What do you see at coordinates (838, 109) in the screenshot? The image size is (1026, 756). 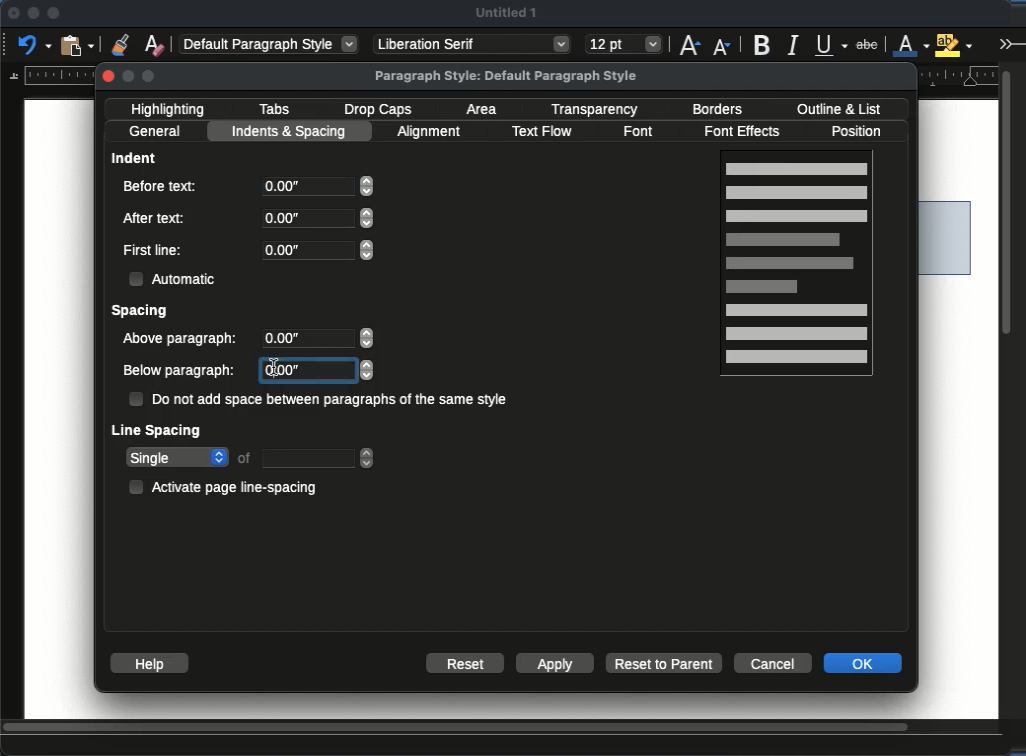 I see `outline` at bounding box center [838, 109].